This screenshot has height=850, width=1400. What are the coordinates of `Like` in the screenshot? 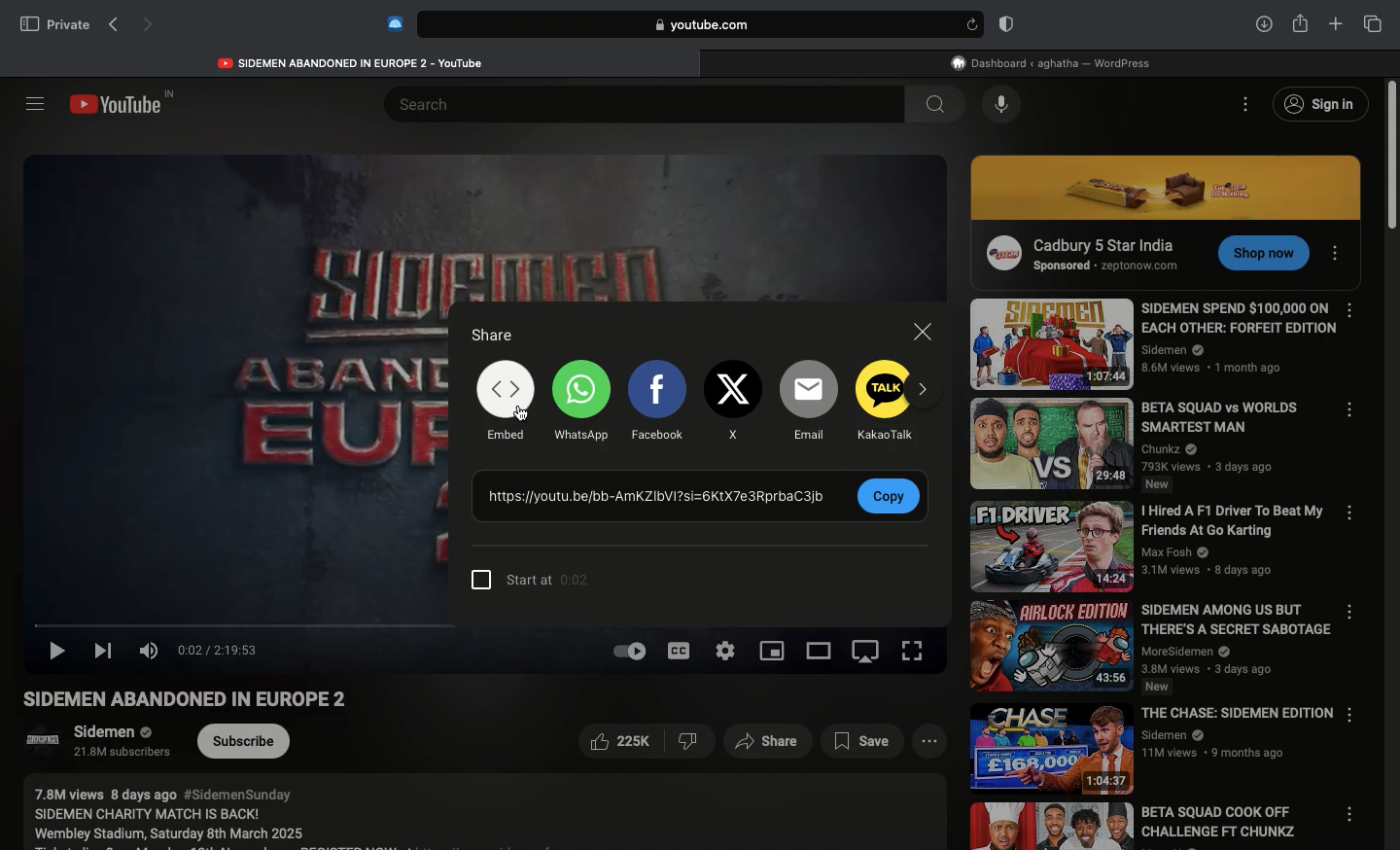 It's located at (645, 743).